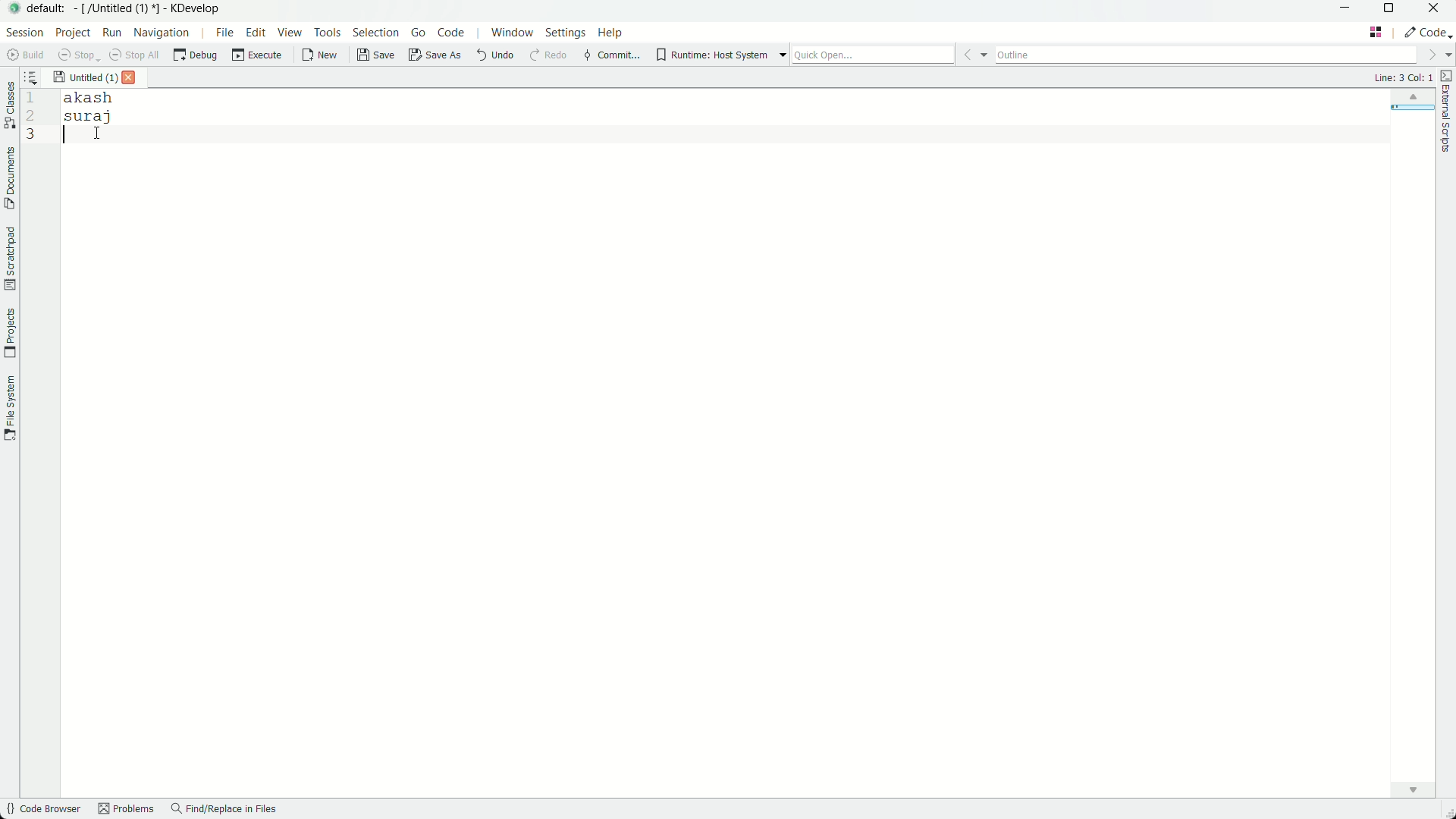 The image size is (1456, 819). What do you see at coordinates (42, 810) in the screenshot?
I see `code browser` at bounding box center [42, 810].